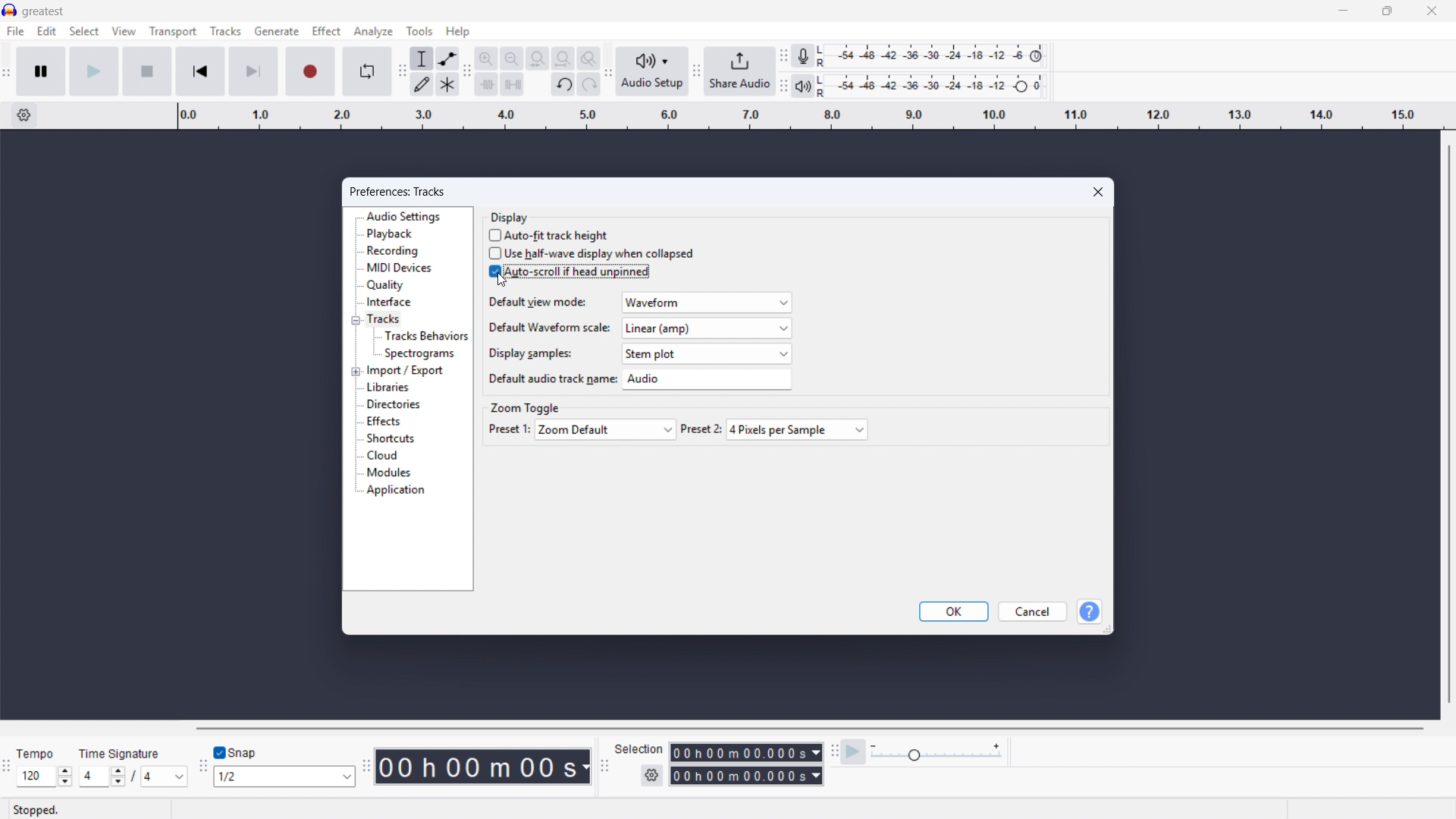 The width and height of the screenshot is (1456, 819). I want to click on Shortcuts , so click(392, 438).